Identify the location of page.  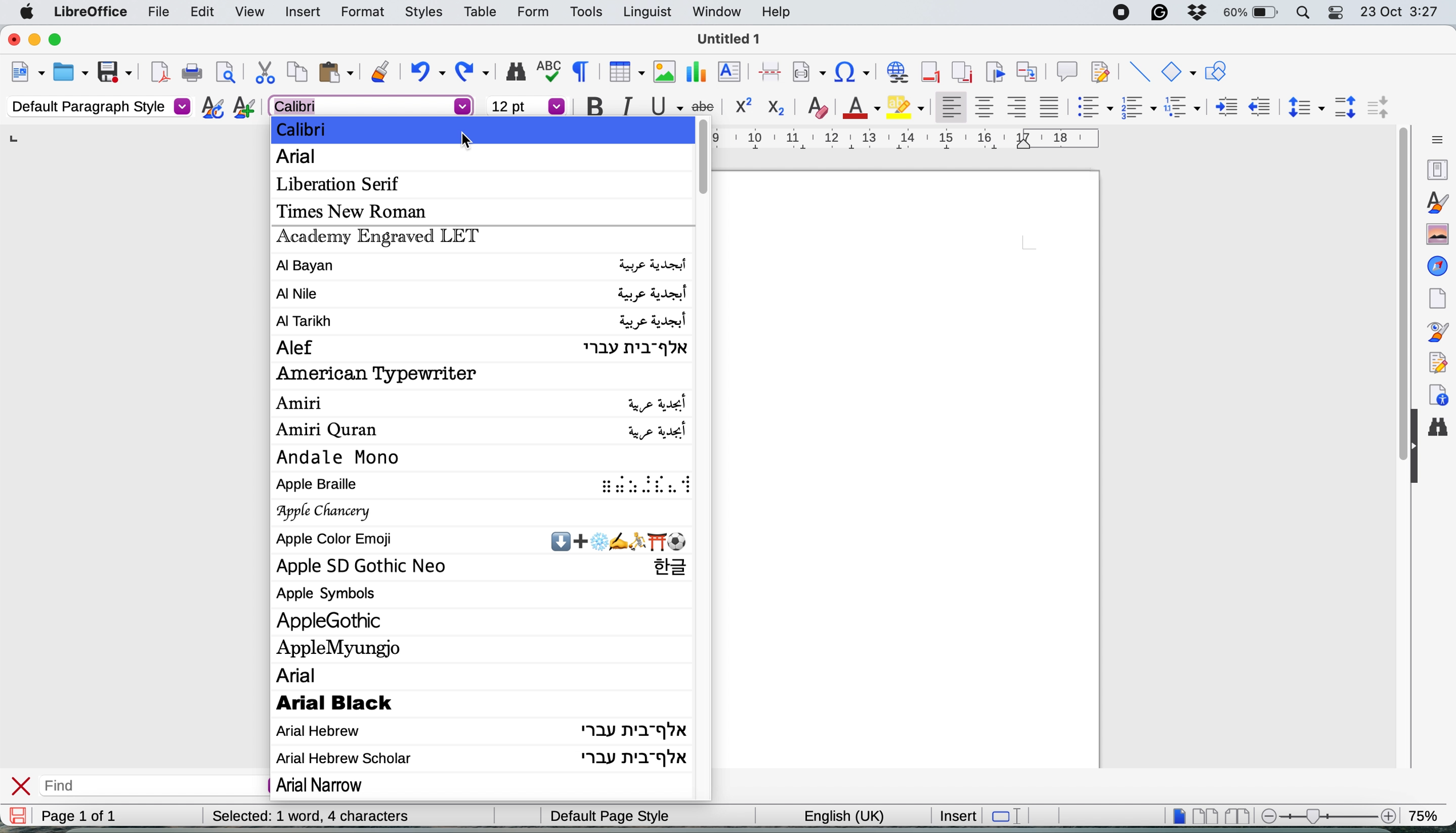
(1437, 298).